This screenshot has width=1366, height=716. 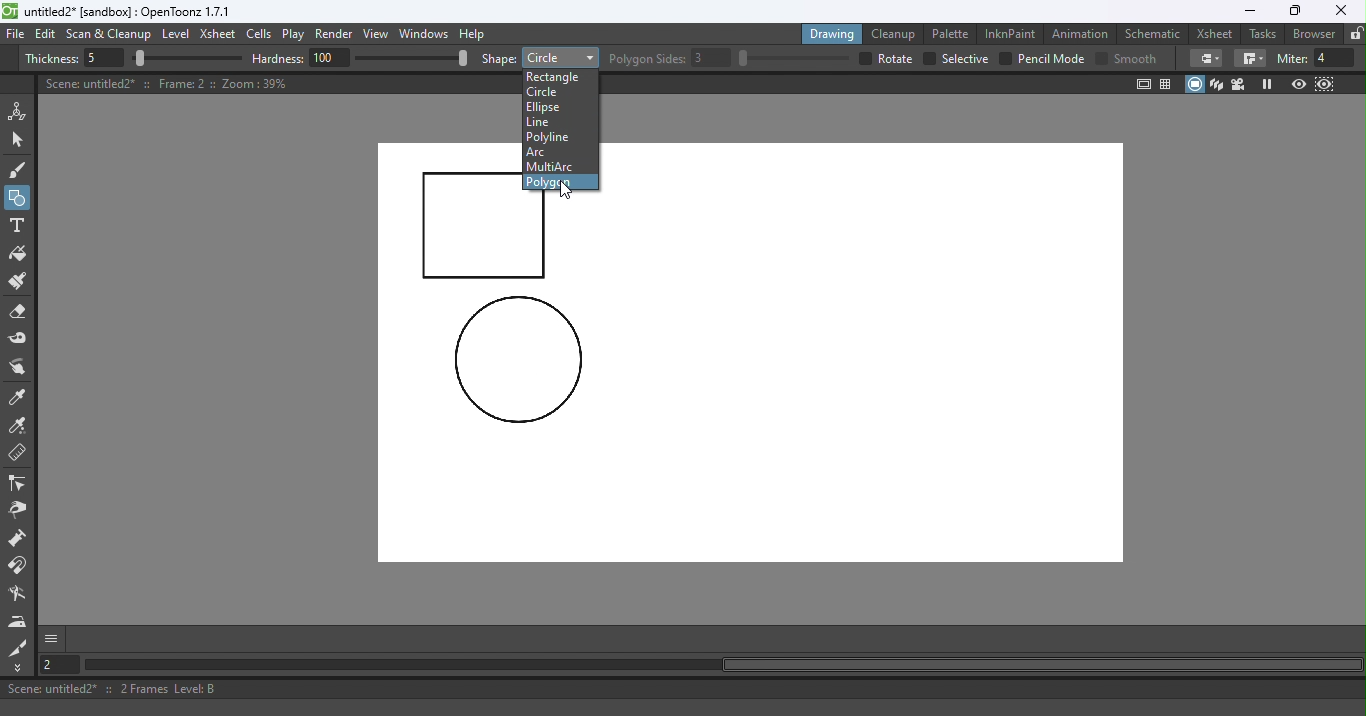 What do you see at coordinates (57, 664) in the screenshot?
I see `Set the current frame` at bounding box center [57, 664].